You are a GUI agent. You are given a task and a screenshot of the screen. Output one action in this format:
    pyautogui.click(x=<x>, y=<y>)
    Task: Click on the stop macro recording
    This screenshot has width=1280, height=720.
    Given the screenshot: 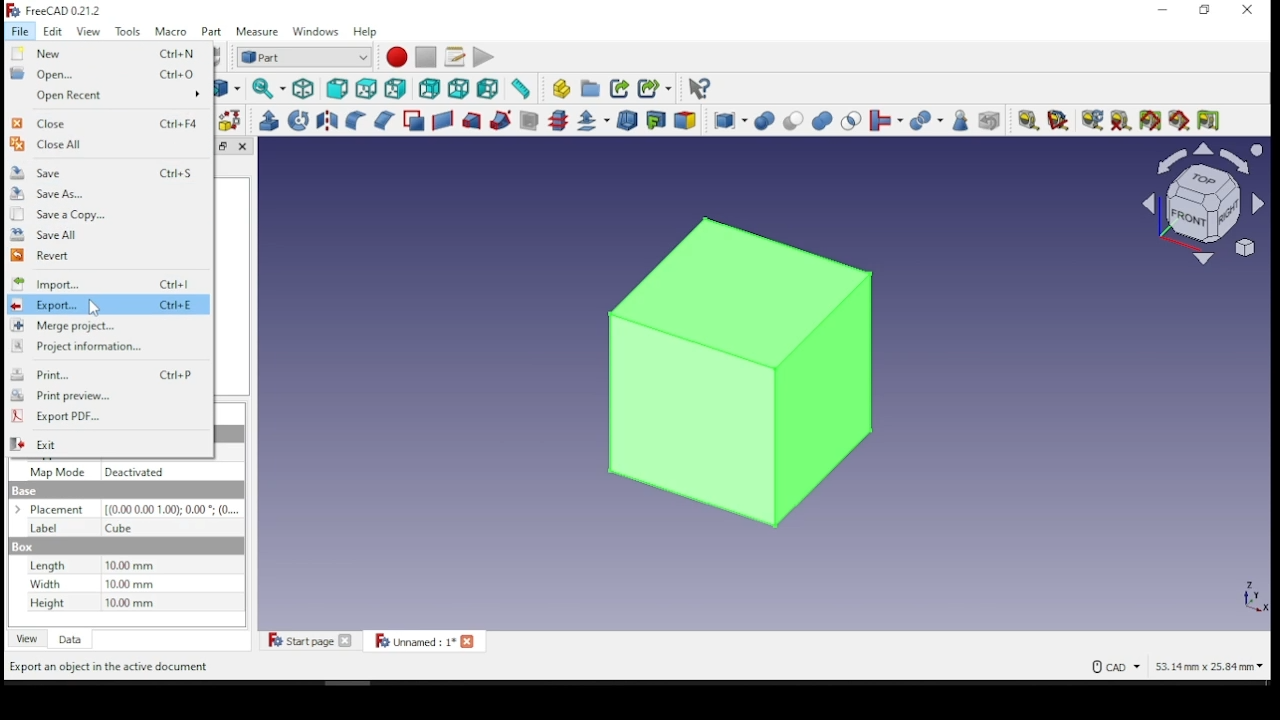 What is the action you would take?
    pyautogui.click(x=424, y=57)
    